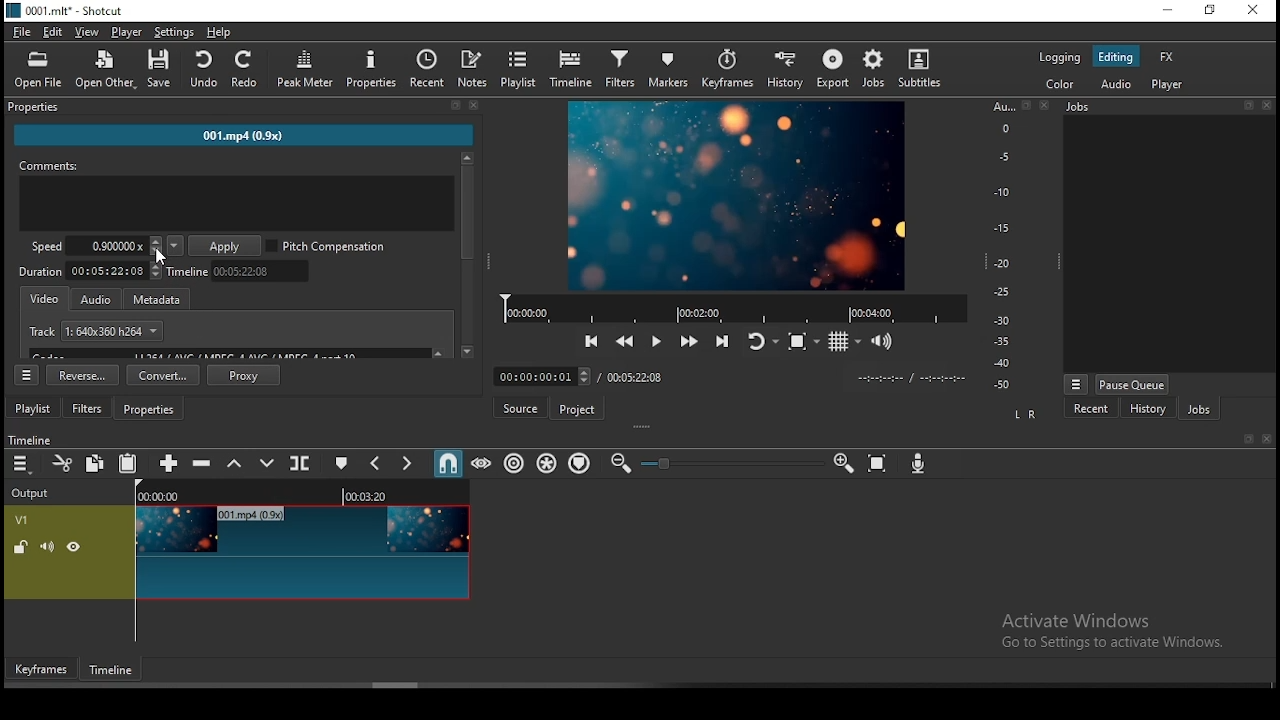 This screenshot has width=1280, height=720. I want to click on pitch compression on/off, so click(331, 246).